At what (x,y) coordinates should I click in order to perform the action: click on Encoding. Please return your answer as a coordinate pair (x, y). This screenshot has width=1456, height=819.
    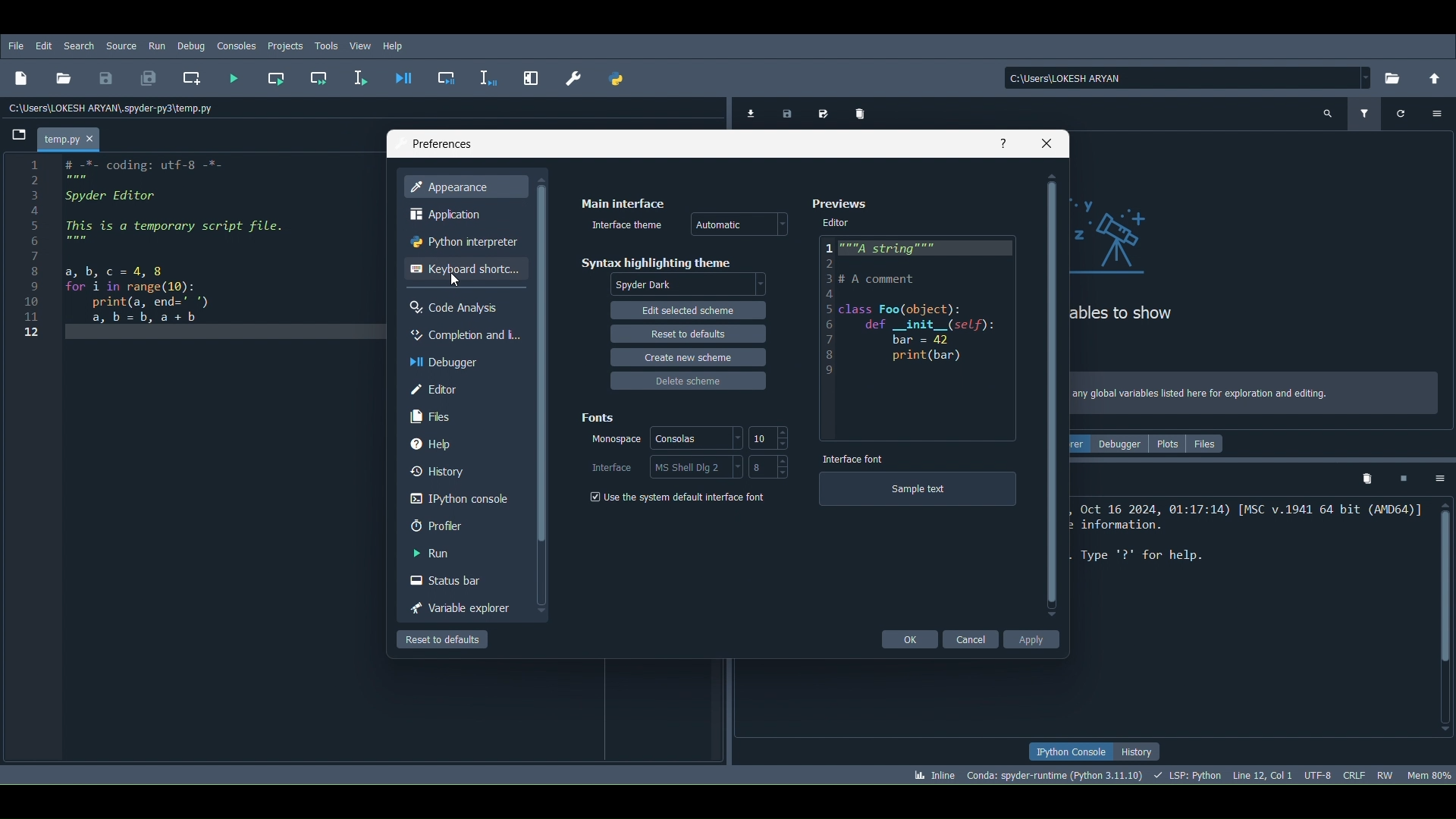
    Looking at the image, I should click on (1316, 774).